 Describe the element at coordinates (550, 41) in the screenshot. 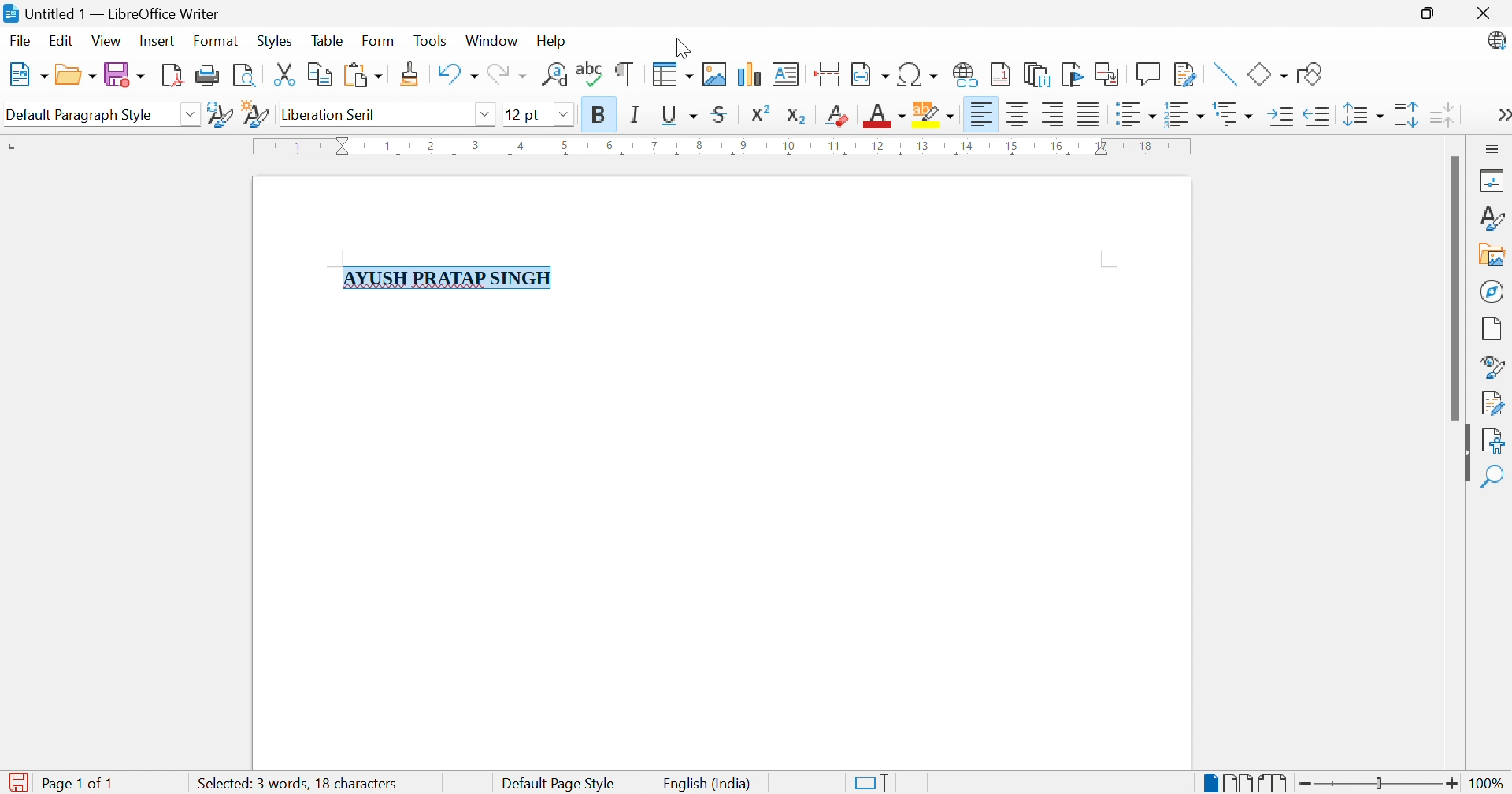

I see `Help` at that location.